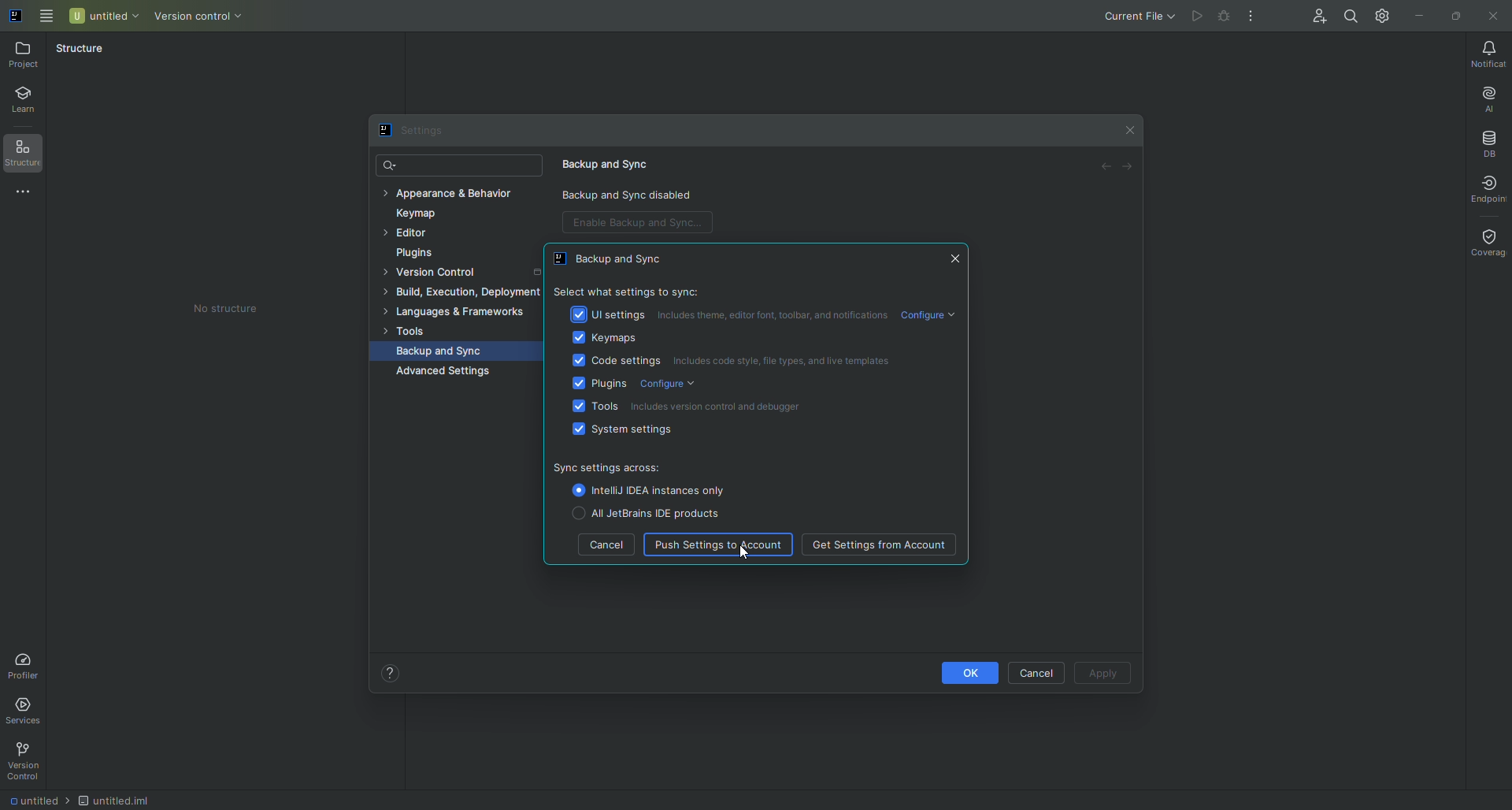  Describe the element at coordinates (462, 313) in the screenshot. I see `Languages and Frameworks` at that location.